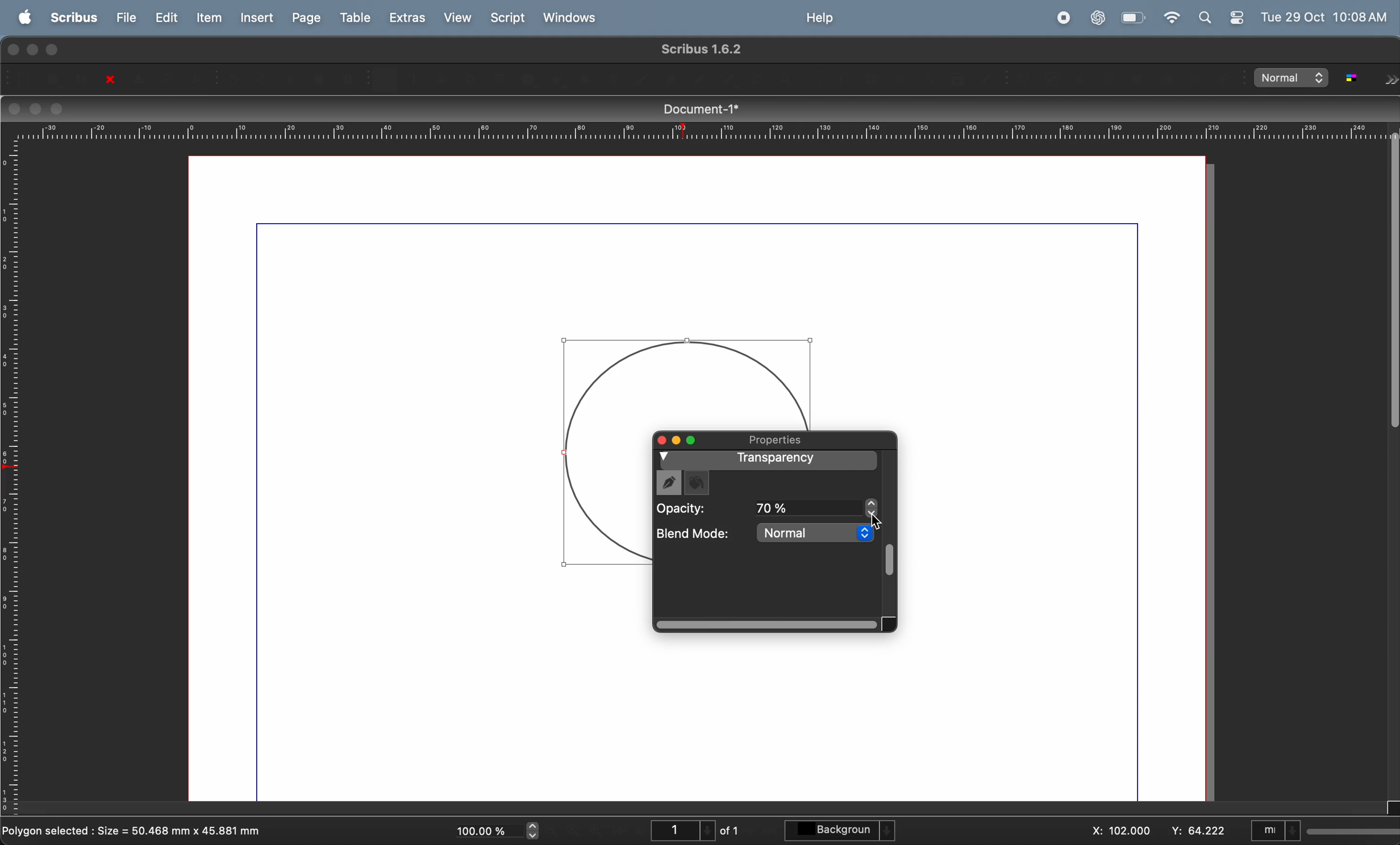  I want to click on opacity, so click(701, 509).